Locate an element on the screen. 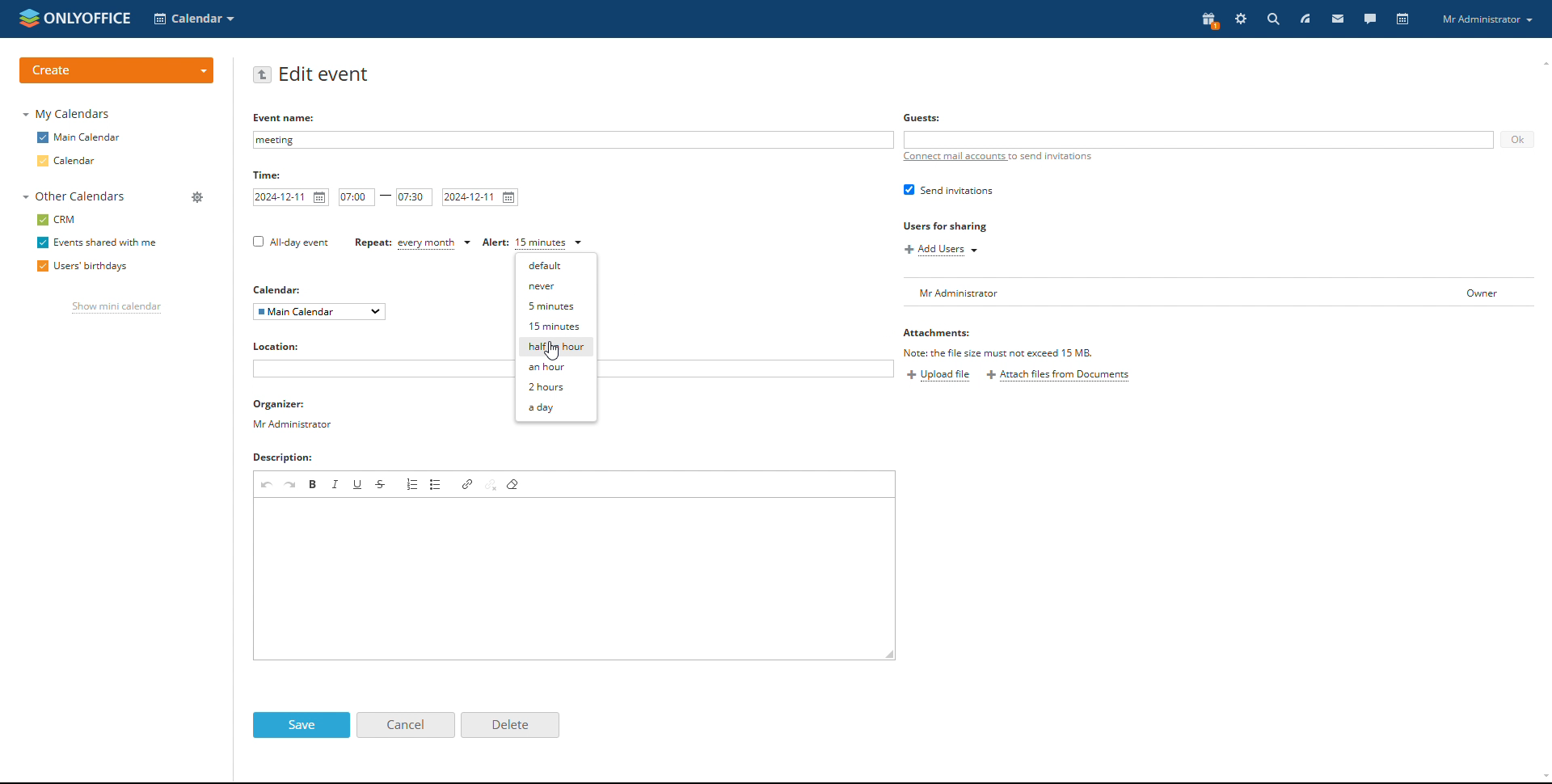  calendar is located at coordinates (1401, 19).